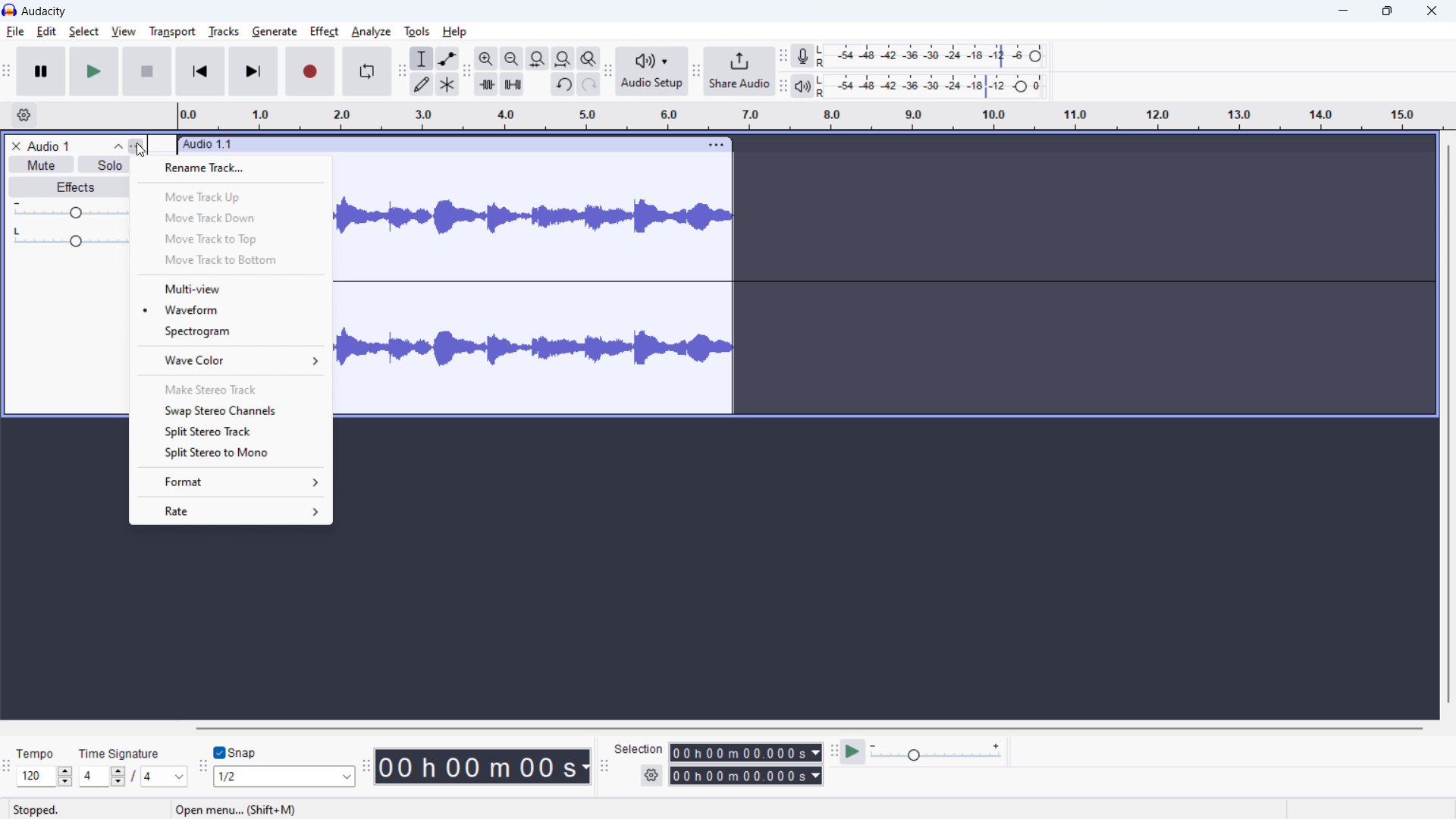 The width and height of the screenshot is (1456, 819). What do you see at coordinates (230, 411) in the screenshot?
I see `swap stereo channels` at bounding box center [230, 411].